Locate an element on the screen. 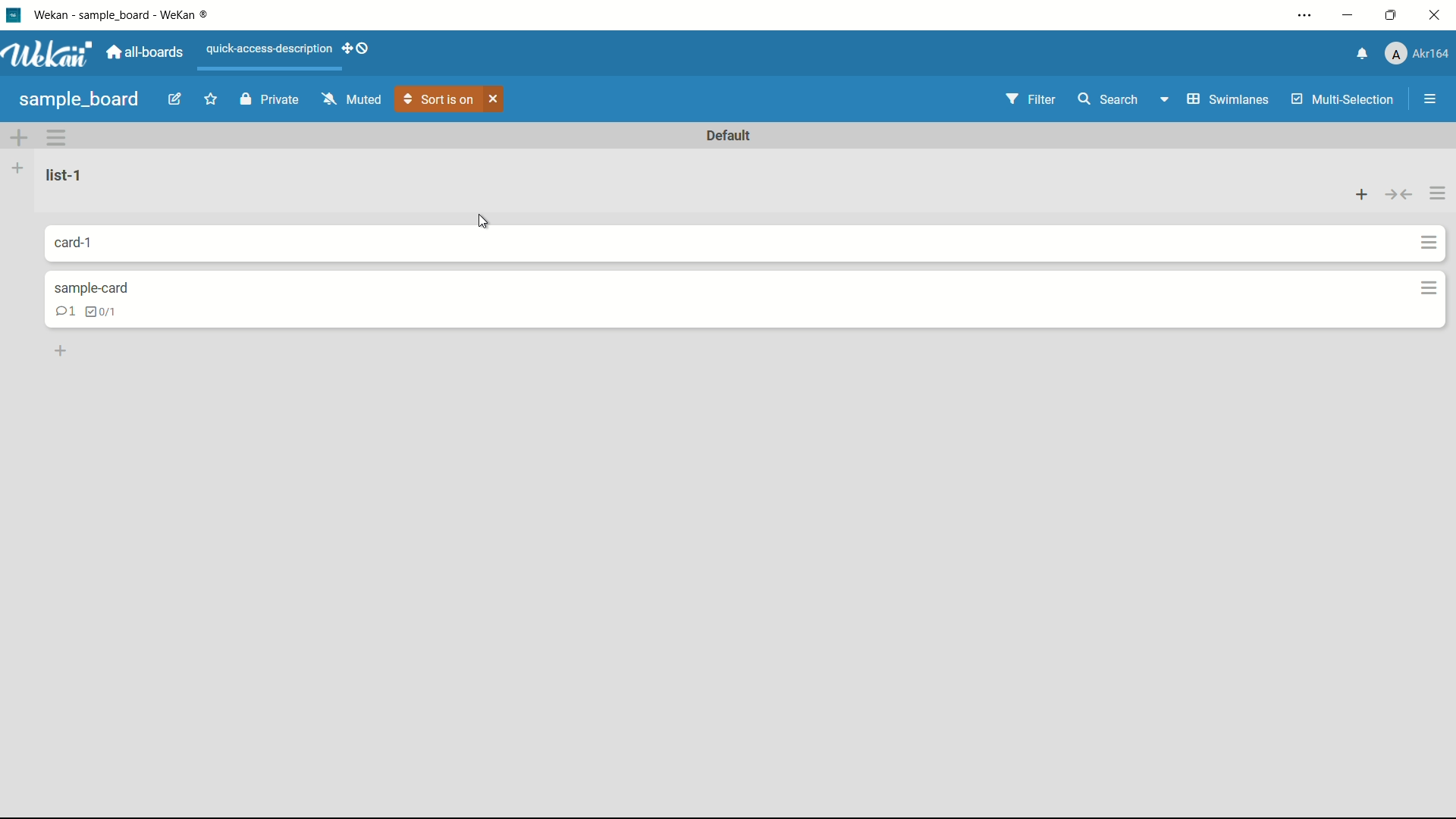 This screenshot has width=1456, height=819. add swimlane is located at coordinates (19, 136).